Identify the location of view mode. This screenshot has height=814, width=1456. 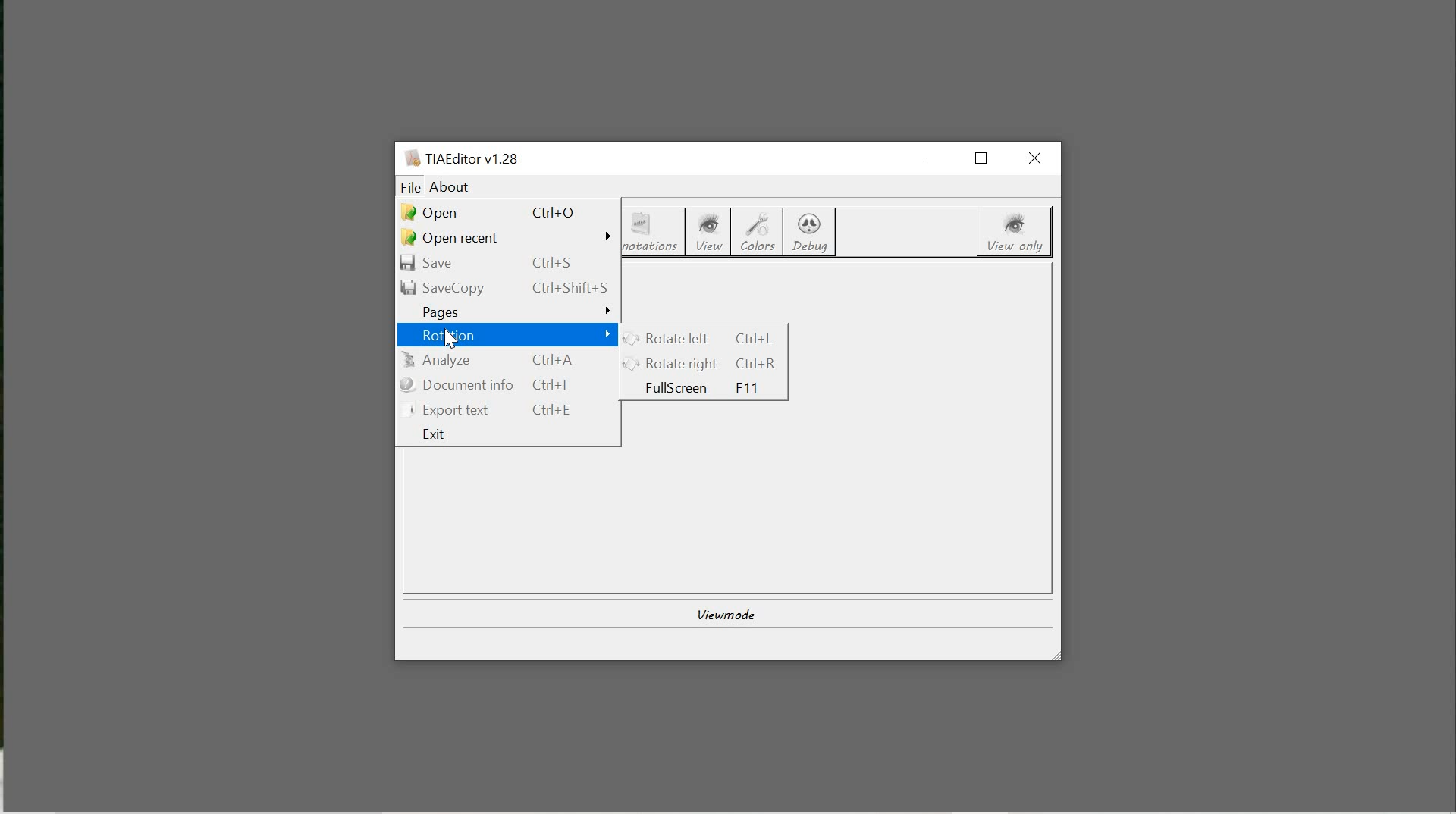
(723, 612).